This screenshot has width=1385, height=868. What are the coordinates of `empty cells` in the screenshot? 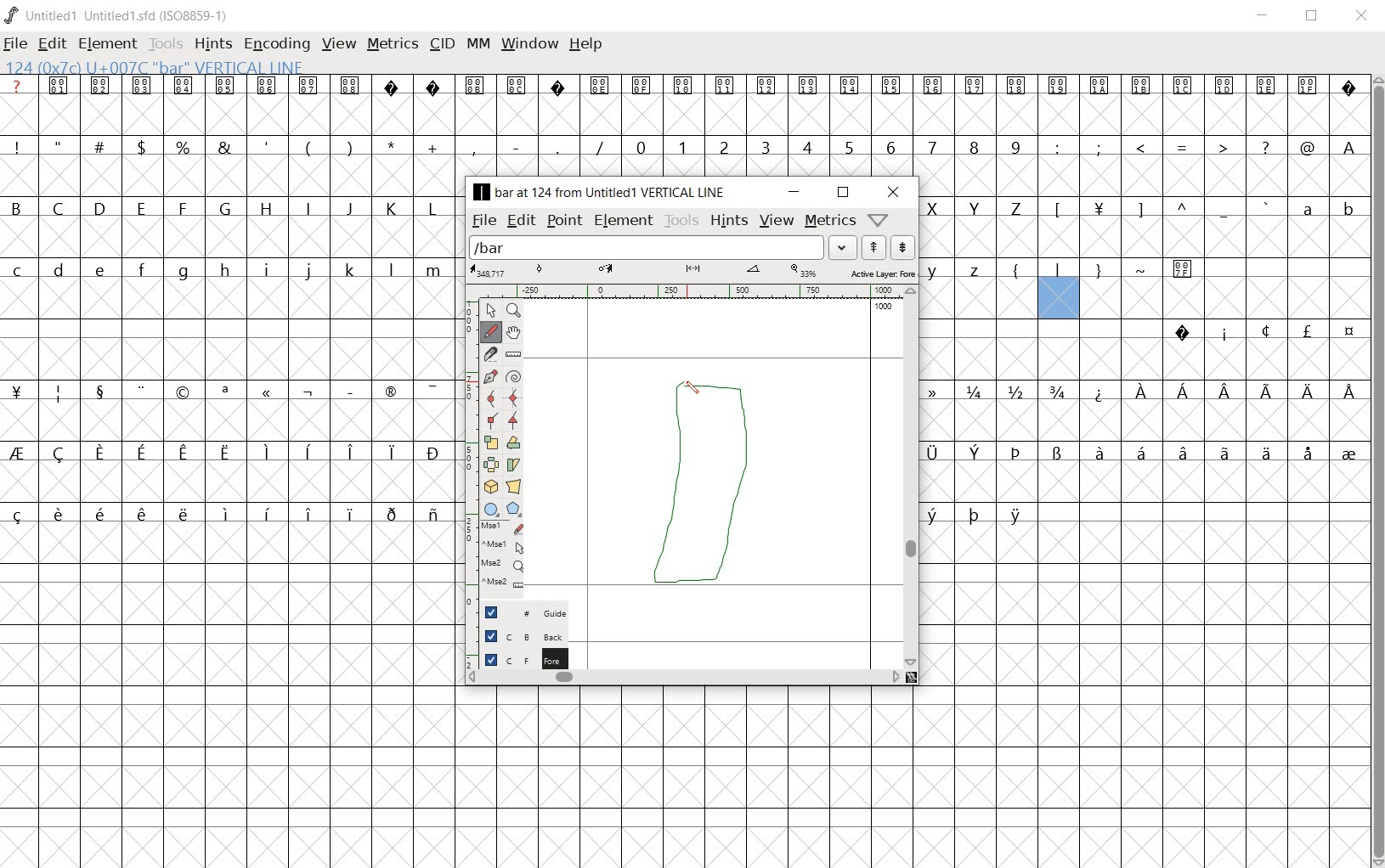 It's located at (1145, 360).